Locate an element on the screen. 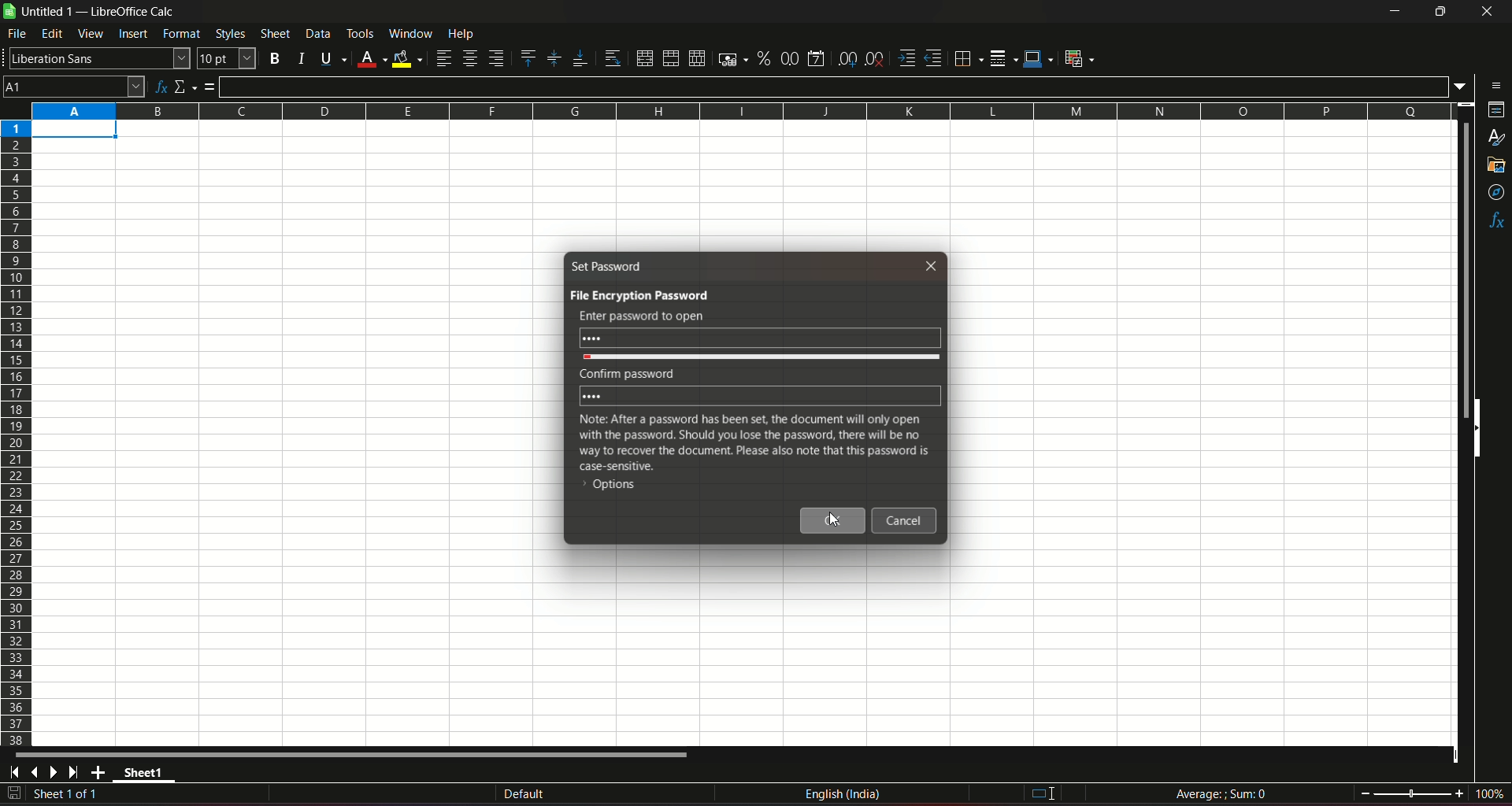 Image resolution: width=1512 pixels, height=806 pixels. decrease indent is located at coordinates (934, 59).